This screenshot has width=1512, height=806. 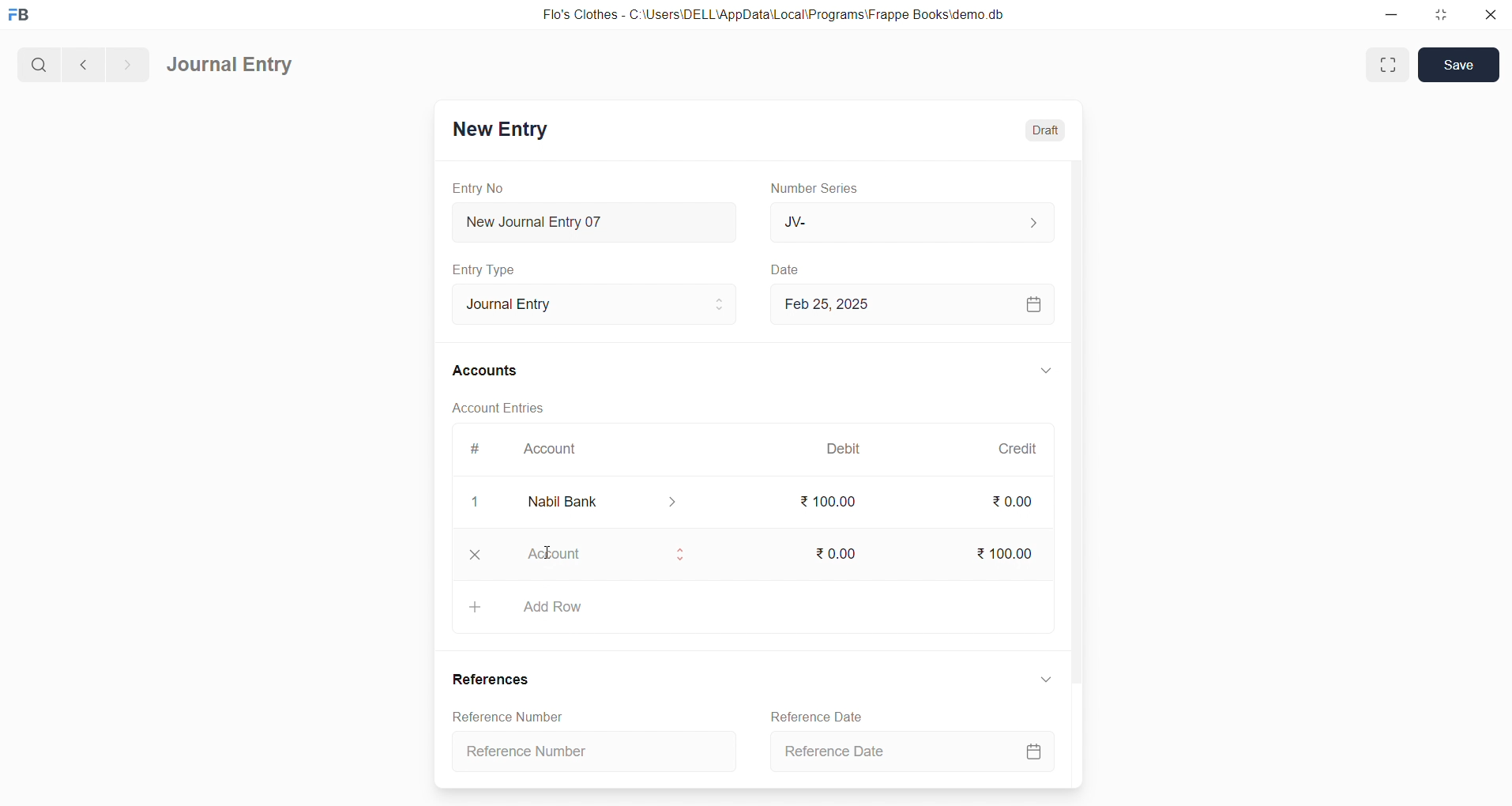 I want to click on References, so click(x=495, y=680).